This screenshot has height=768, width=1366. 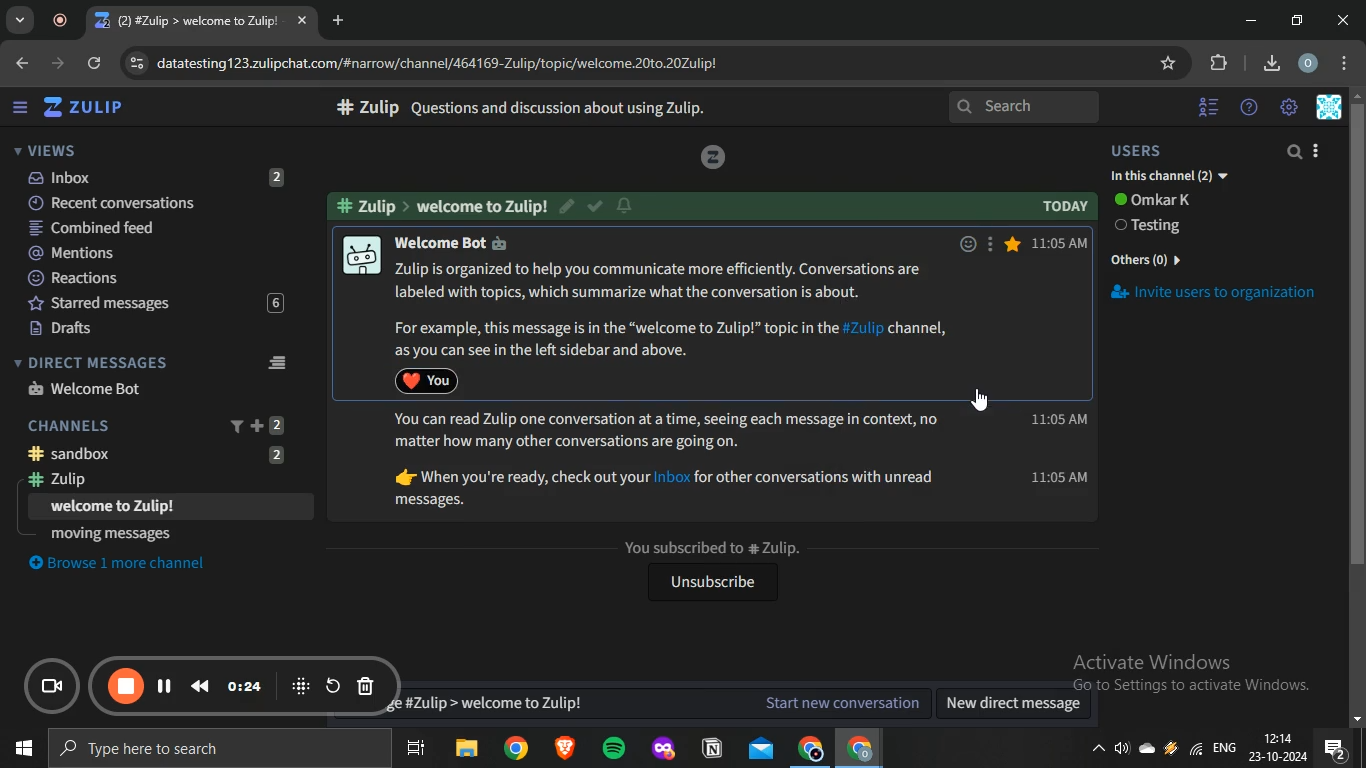 What do you see at coordinates (155, 254) in the screenshot?
I see `mentions` at bounding box center [155, 254].